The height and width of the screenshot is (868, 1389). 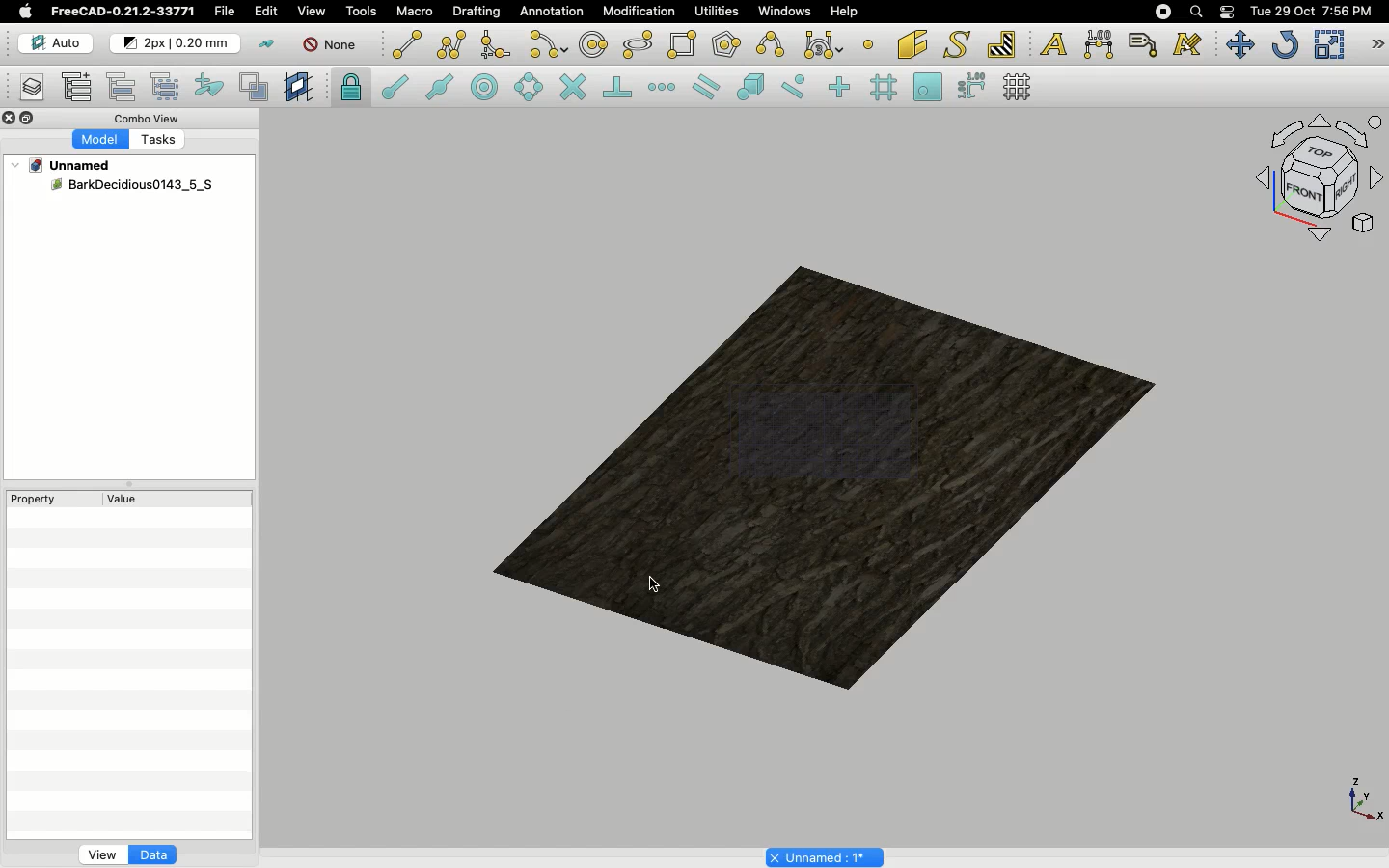 What do you see at coordinates (639, 46) in the screenshot?
I see `Ellipse` at bounding box center [639, 46].